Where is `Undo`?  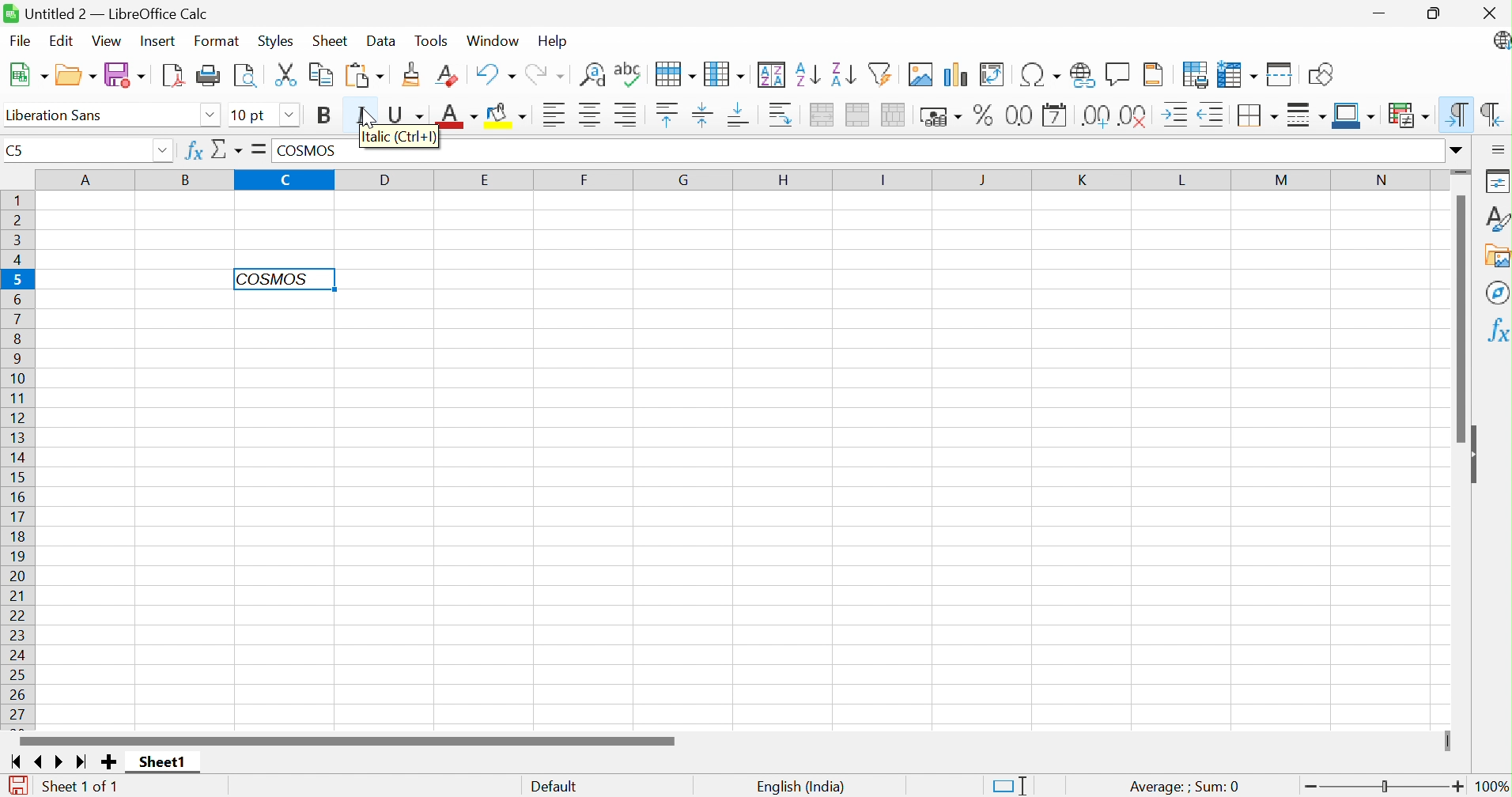
Undo is located at coordinates (494, 74).